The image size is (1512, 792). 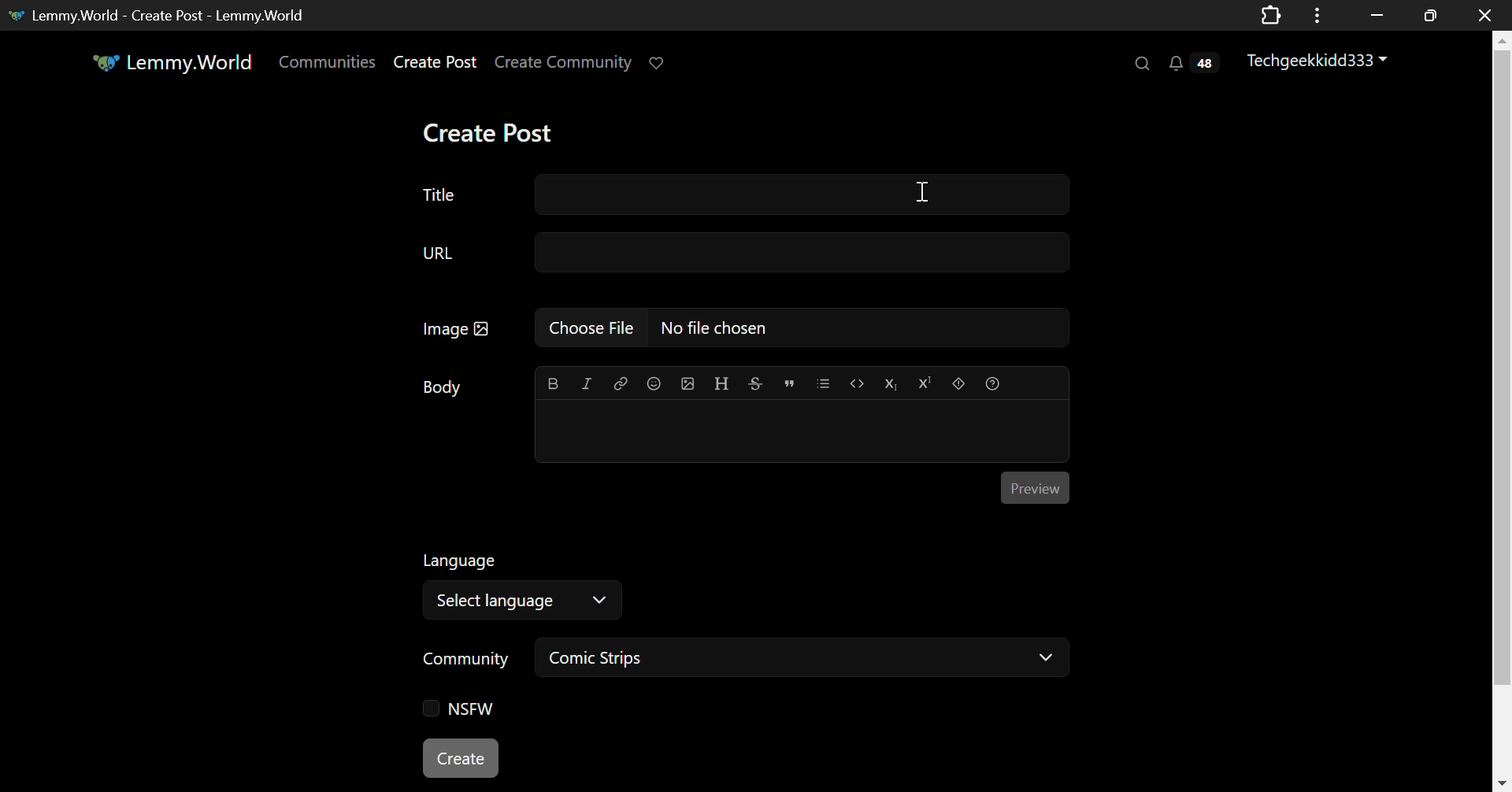 What do you see at coordinates (806, 660) in the screenshot?
I see `Comic Strips` at bounding box center [806, 660].